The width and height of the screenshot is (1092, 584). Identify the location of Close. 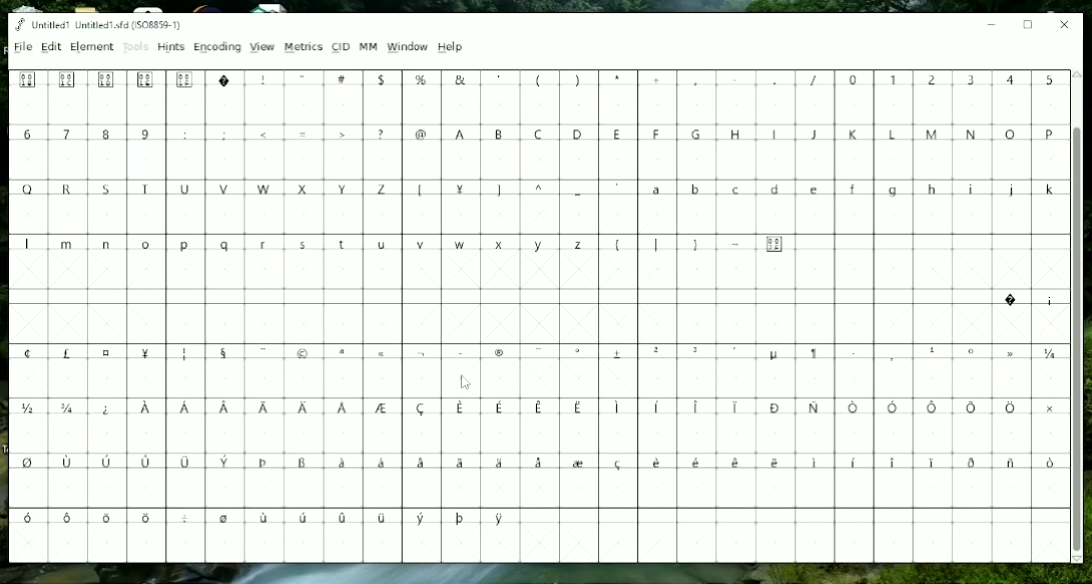
(1065, 25).